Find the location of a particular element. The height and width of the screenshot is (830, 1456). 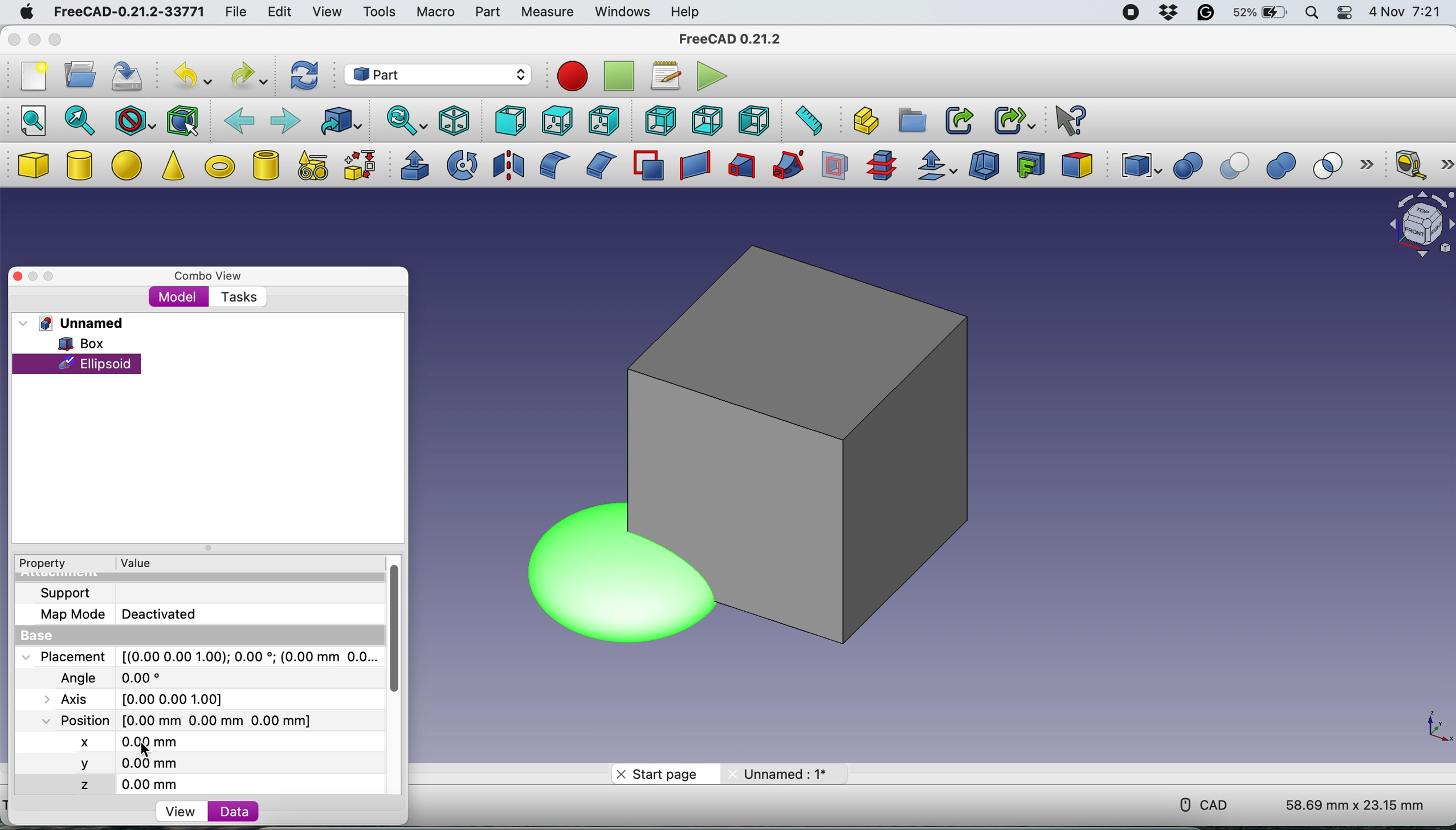

new is located at coordinates (31, 79).